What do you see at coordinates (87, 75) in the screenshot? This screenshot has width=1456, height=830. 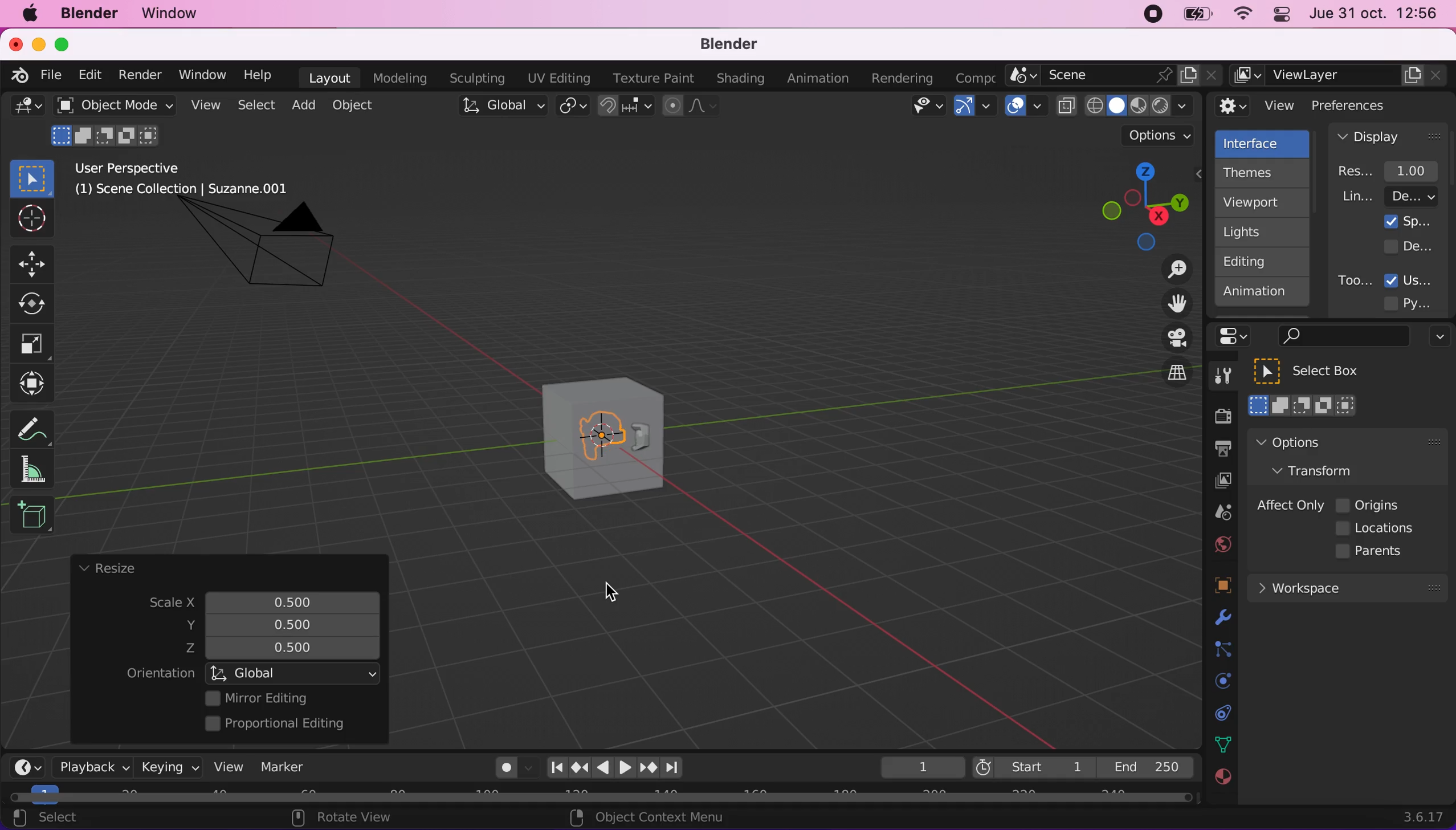 I see `edit` at bounding box center [87, 75].